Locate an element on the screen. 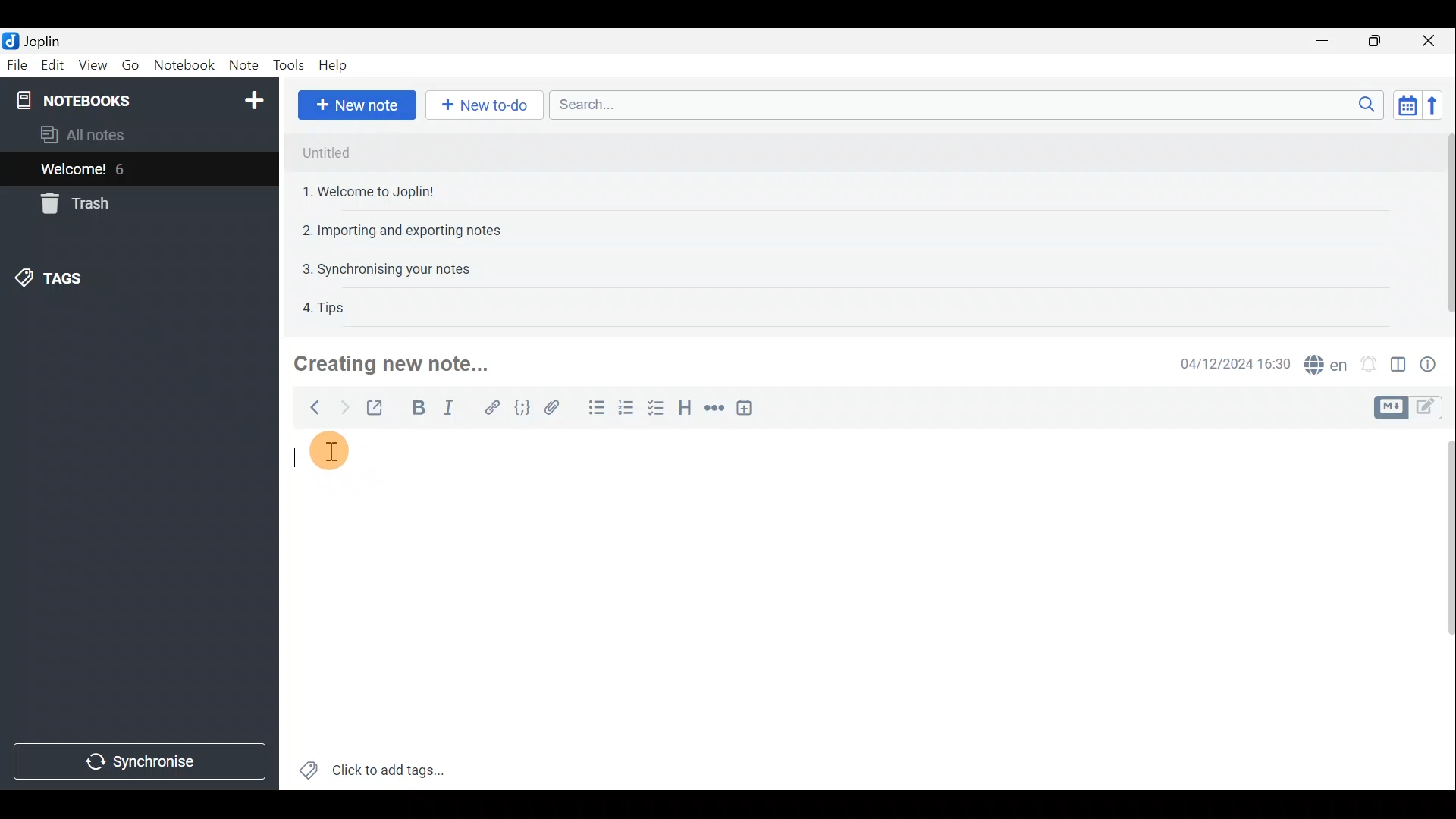 Image resolution: width=1456 pixels, height=819 pixels. Synchronise is located at coordinates (138, 763).